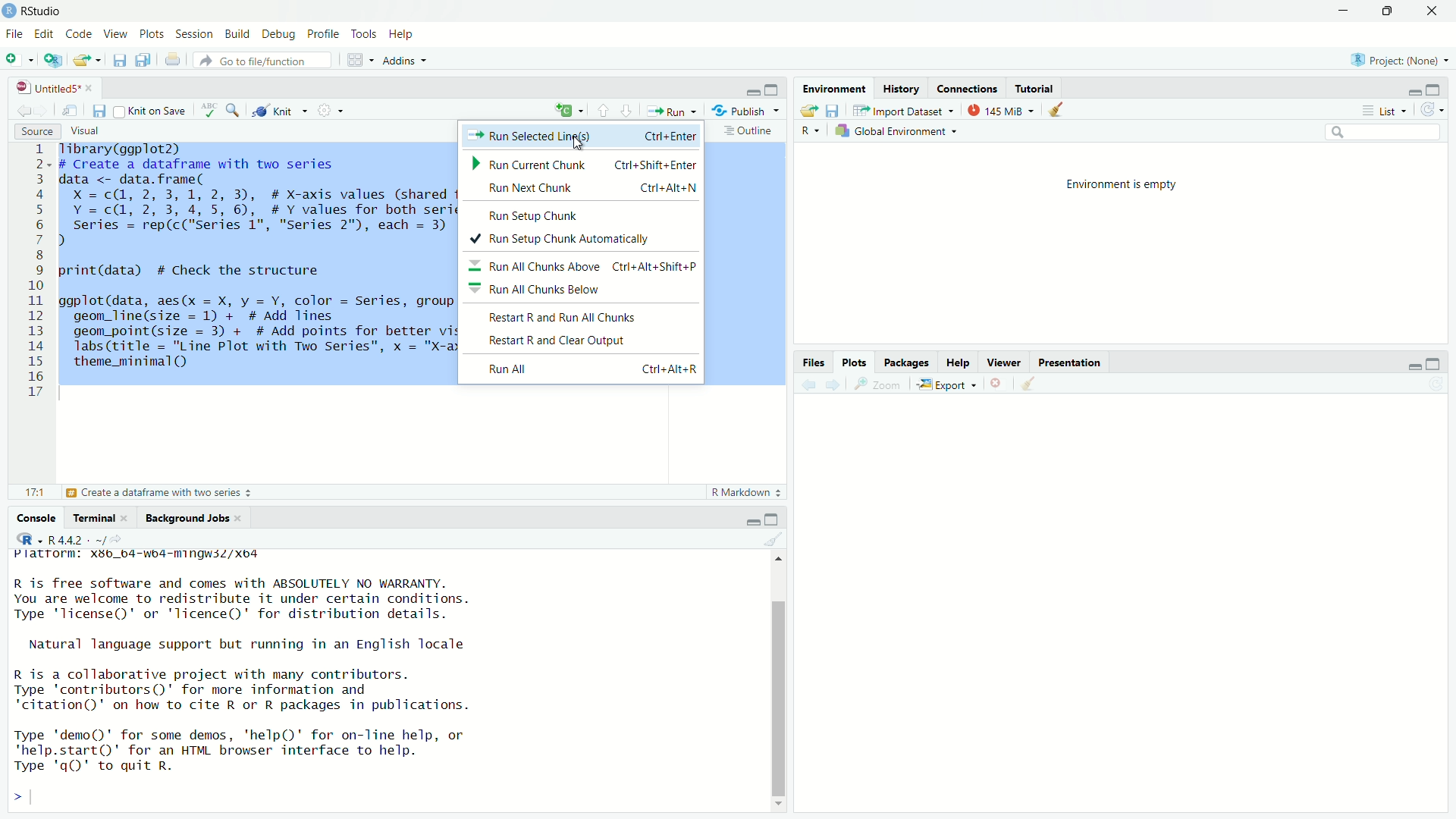 The height and width of the screenshot is (819, 1456). Describe the element at coordinates (208, 111) in the screenshot. I see `ABC` at that location.